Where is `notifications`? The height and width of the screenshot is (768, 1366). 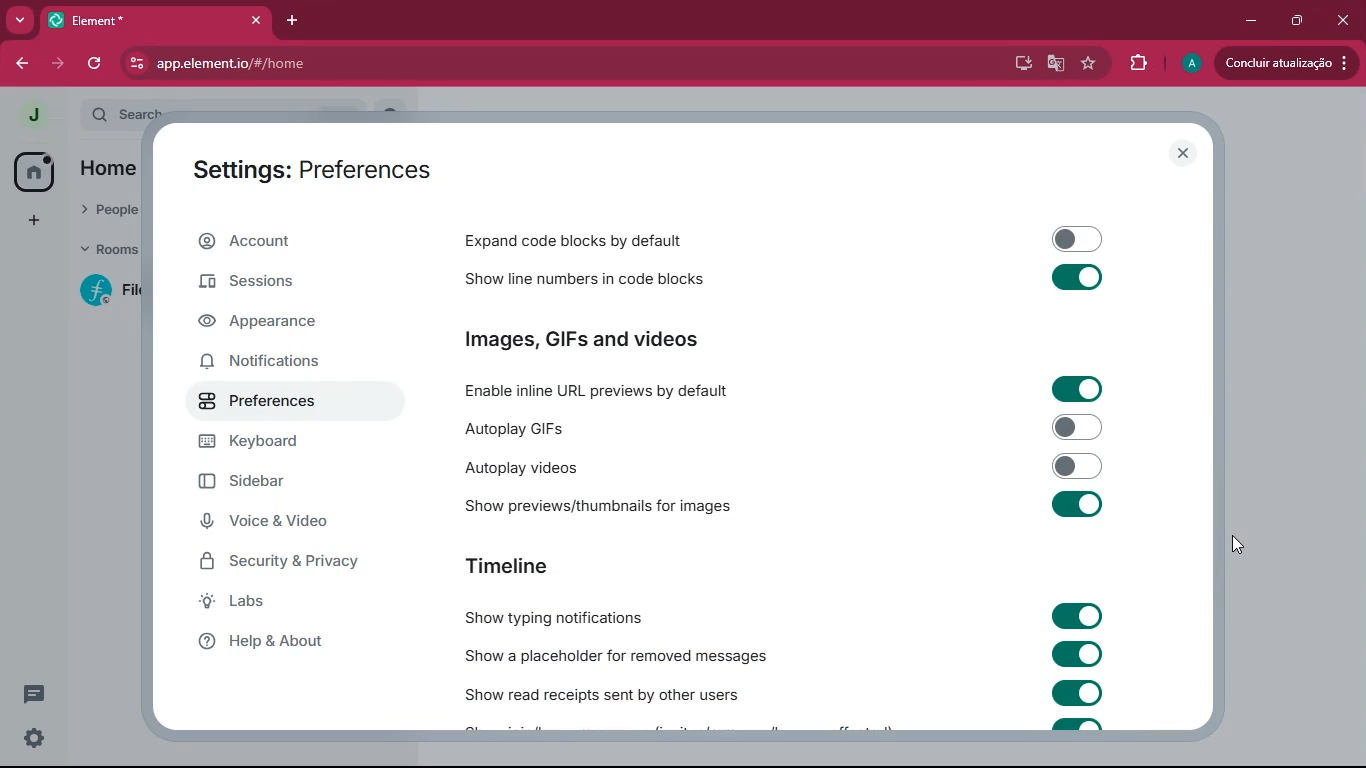
notifications is located at coordinates (277, 365).